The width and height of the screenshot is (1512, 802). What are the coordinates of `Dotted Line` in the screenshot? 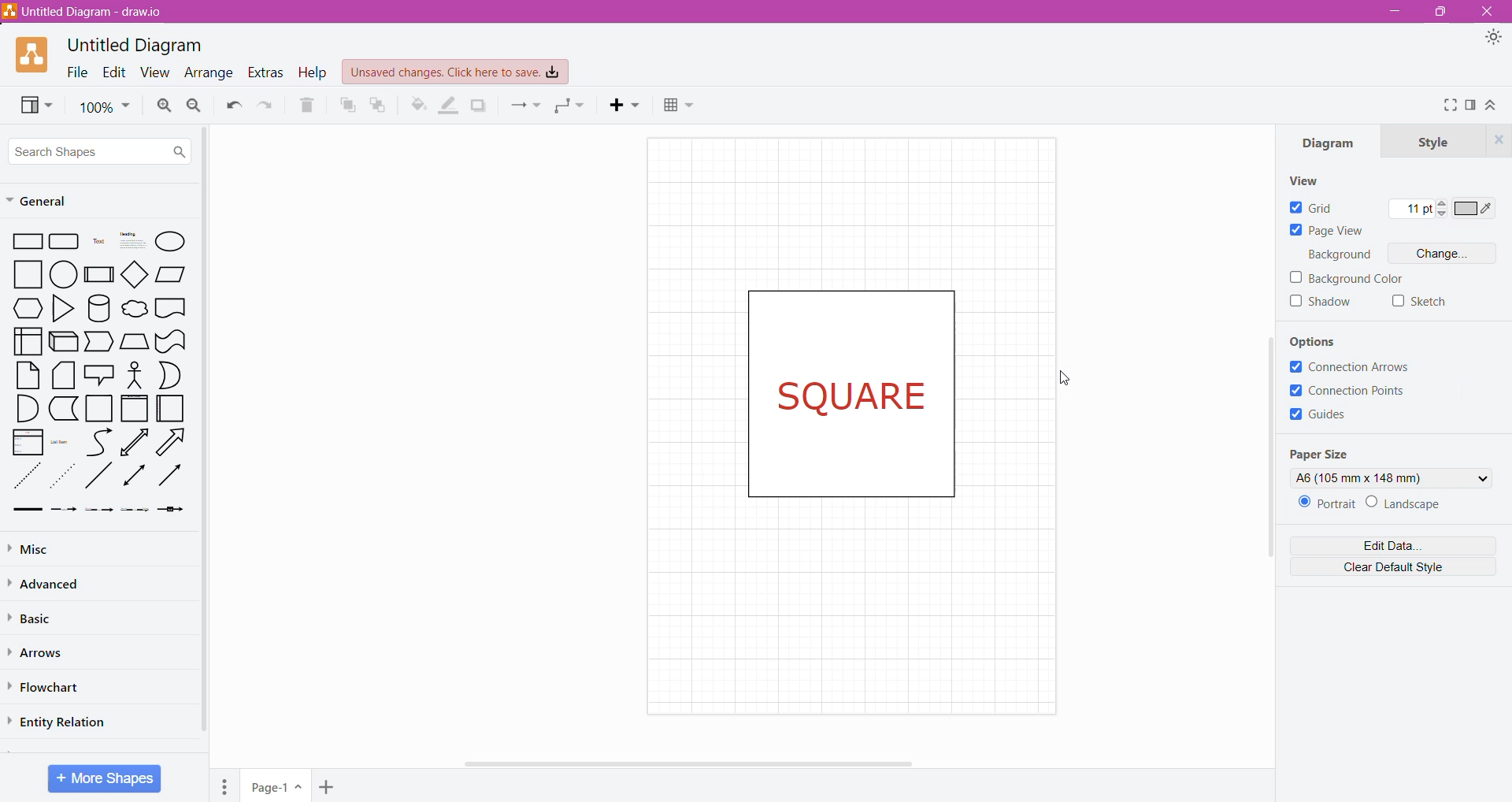 It's located at (25, 477).